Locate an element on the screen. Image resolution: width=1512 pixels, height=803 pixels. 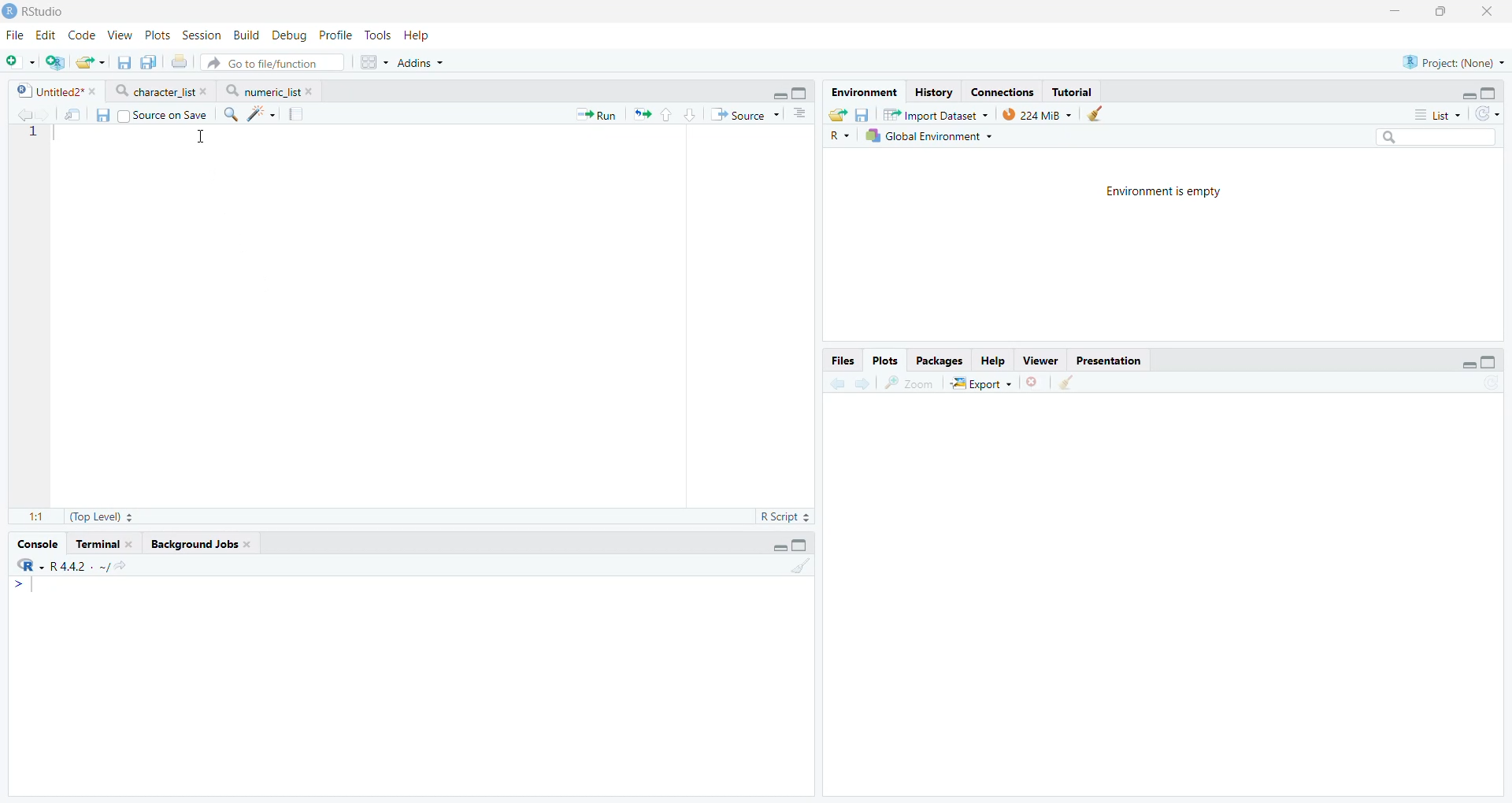
Plots is located at coordinates (887, 358).